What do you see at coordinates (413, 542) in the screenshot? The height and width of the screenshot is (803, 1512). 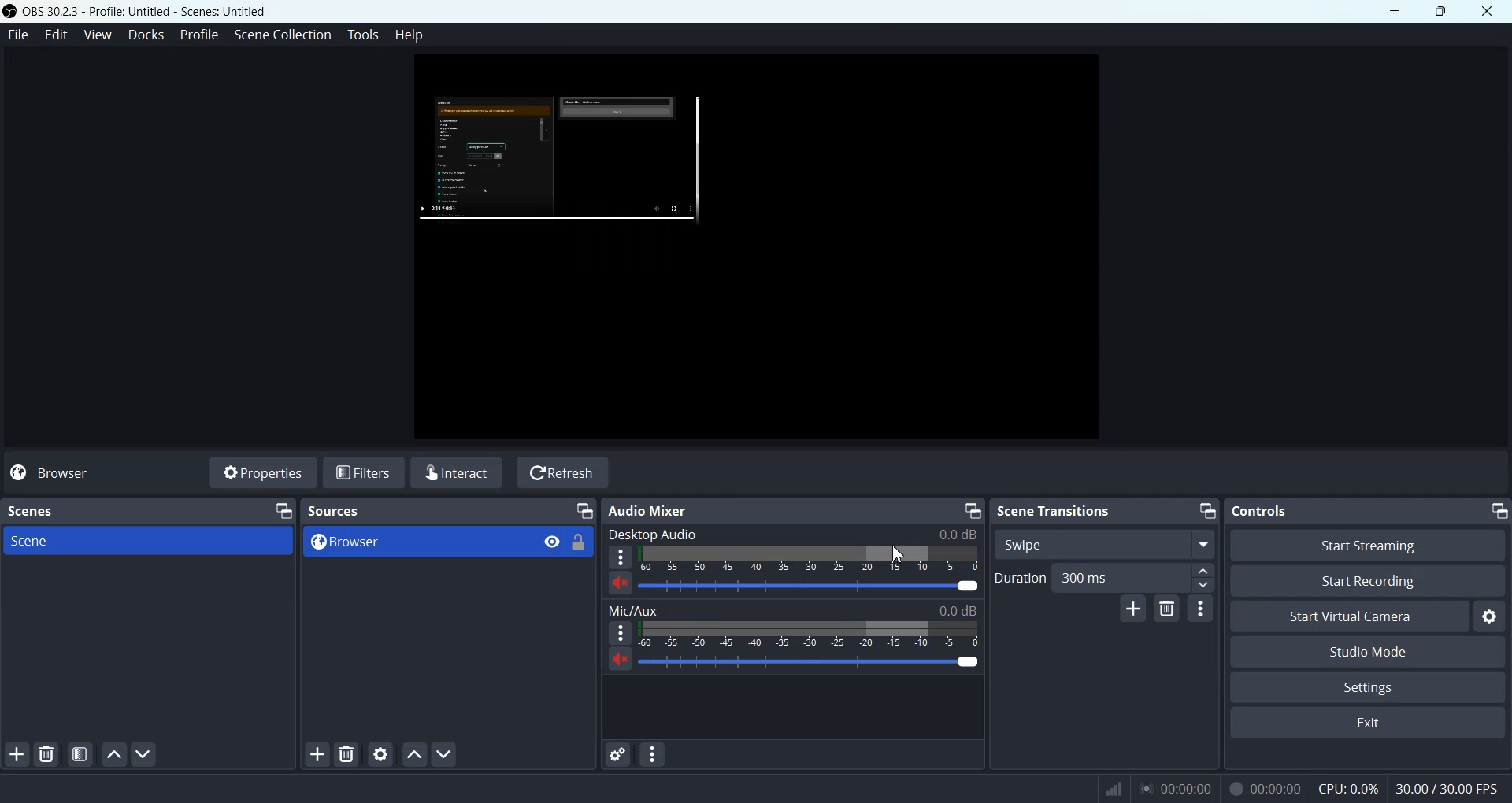 I see `Browser` at bounding box center [413, 542].